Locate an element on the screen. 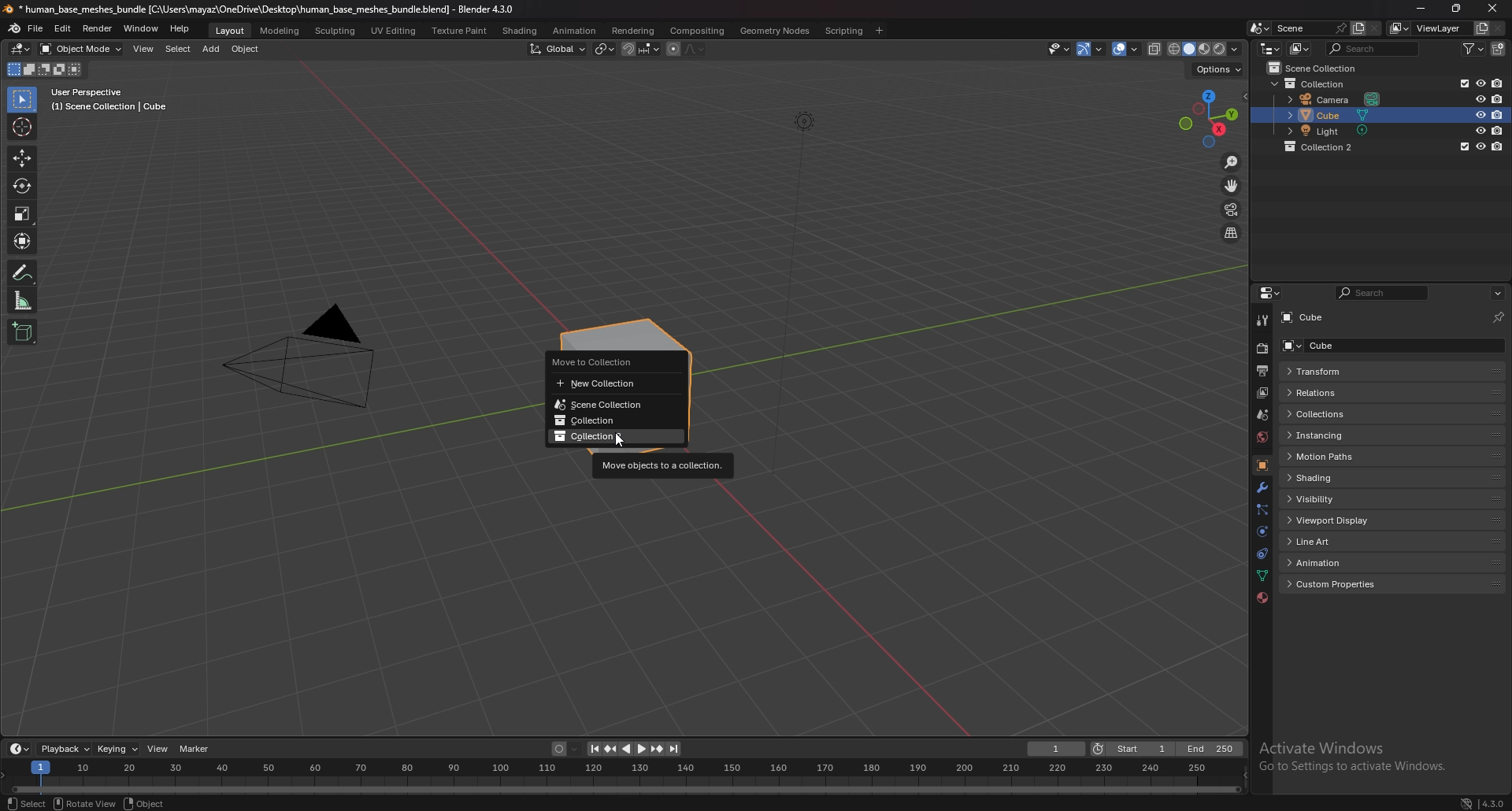 The height and width of the screenshot is (811, 1512). start is located at coordinates (1131, 749).